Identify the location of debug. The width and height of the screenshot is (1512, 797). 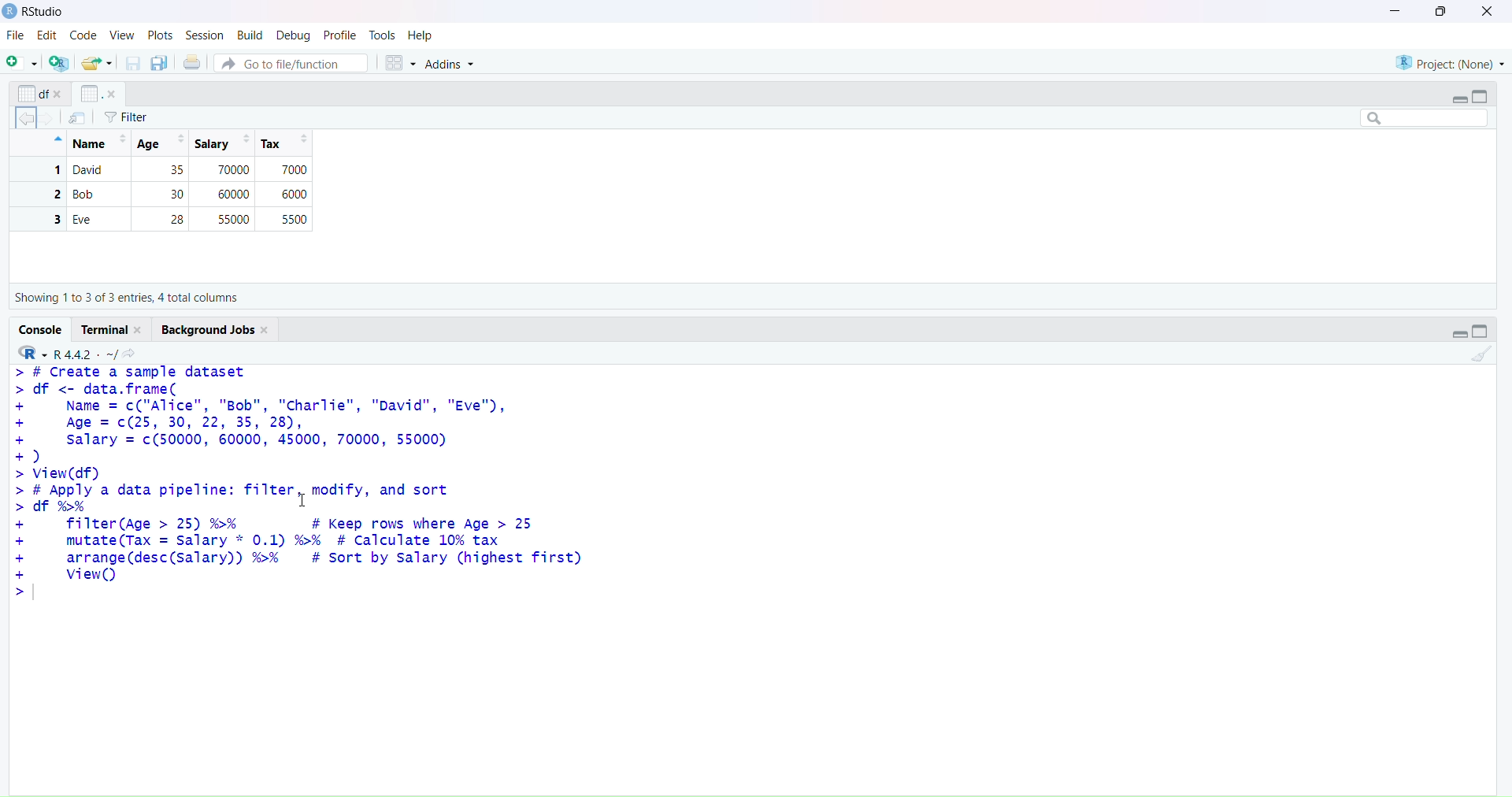
(292, 35).